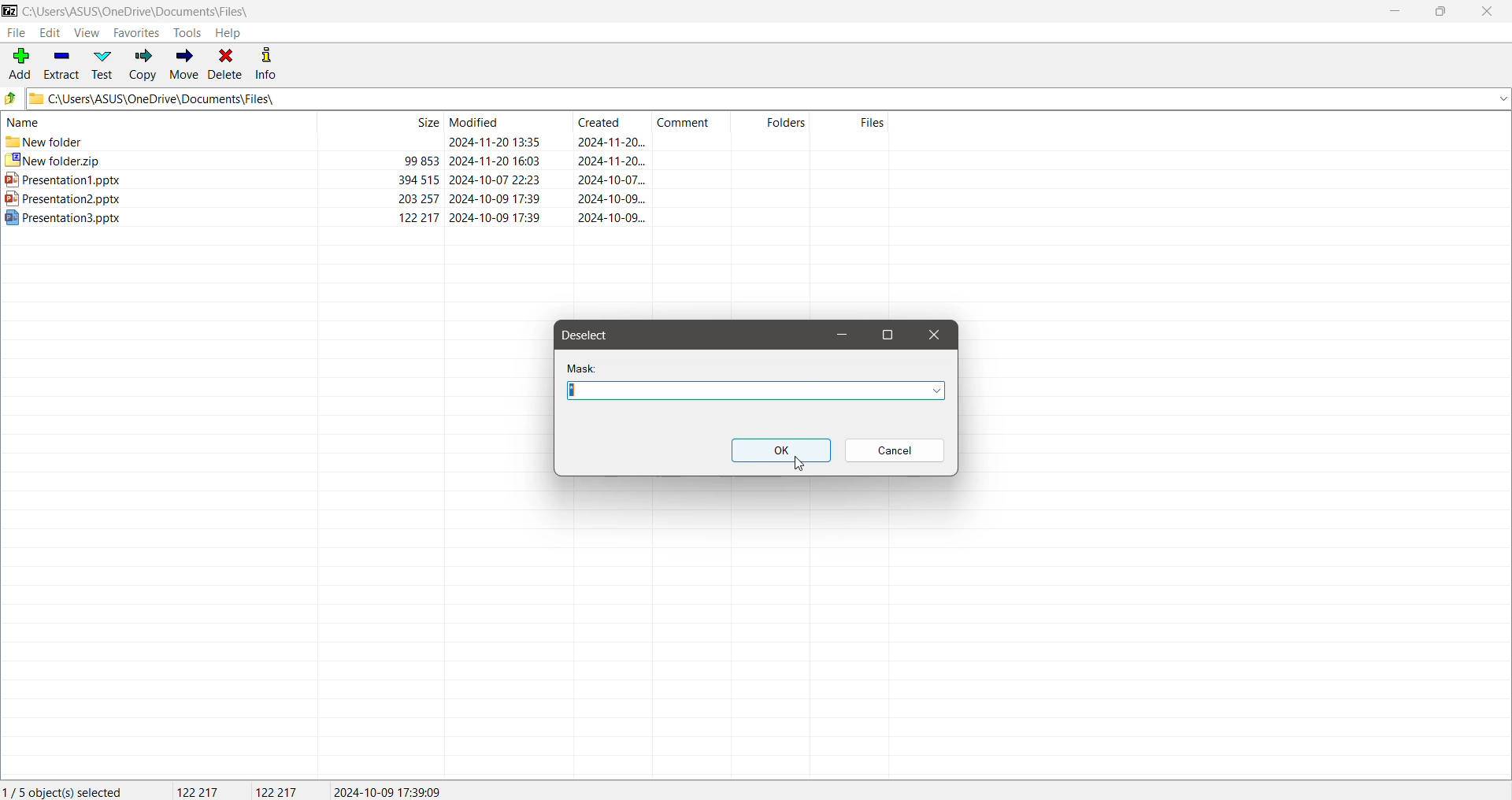 This screenshot has height=800, width=1512. What do you see at coordinates (889, 334) in the screenshot?
I see `Maximize` at bounding box center [889, 334].